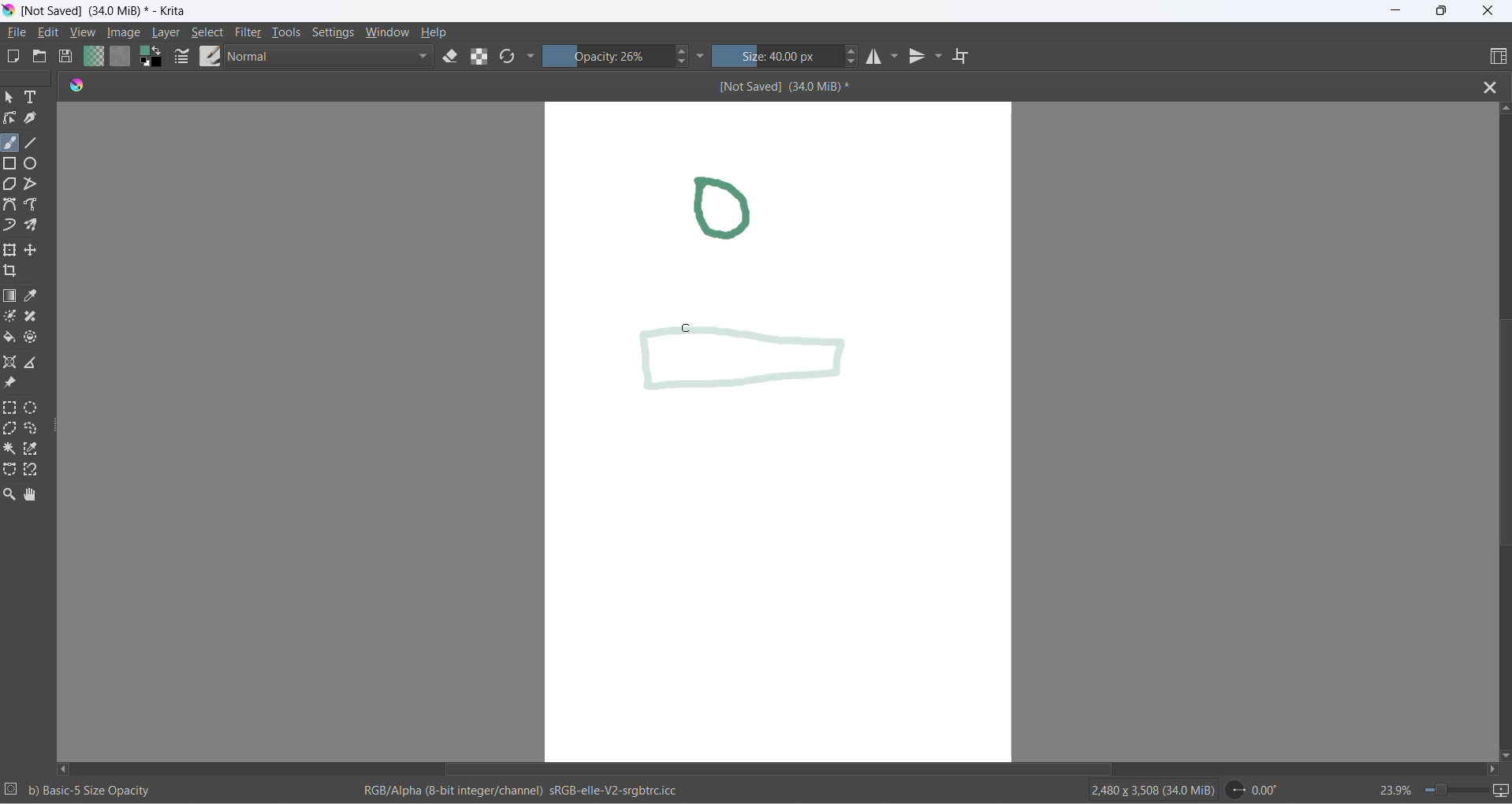 The width and height of the screenshot is (1512, 804). I want to click on preserve alpha, so click(479, 56).